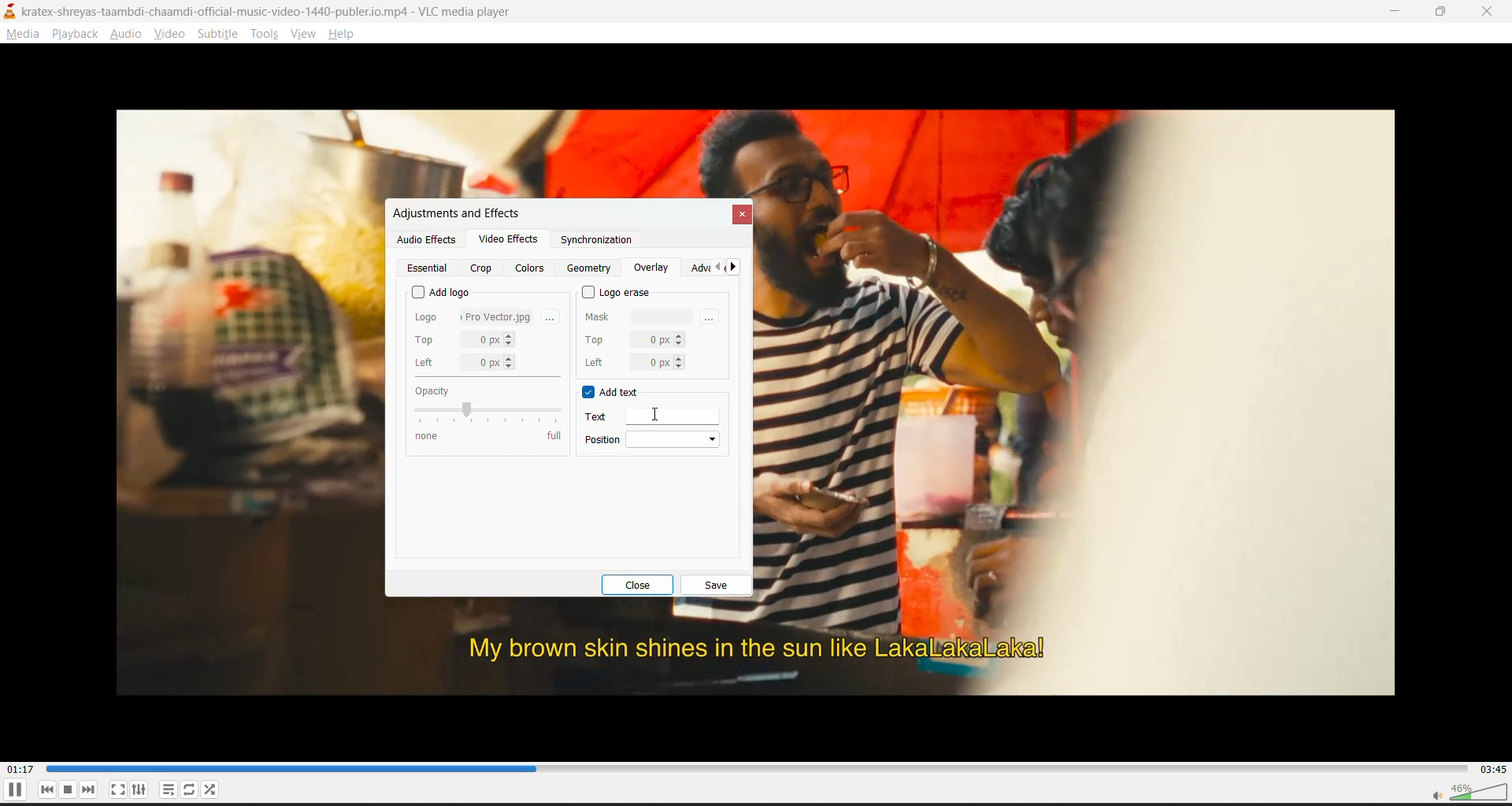 The width and height of the screenshot is (1512, 806). I want to click on close, so click(1488, 13).